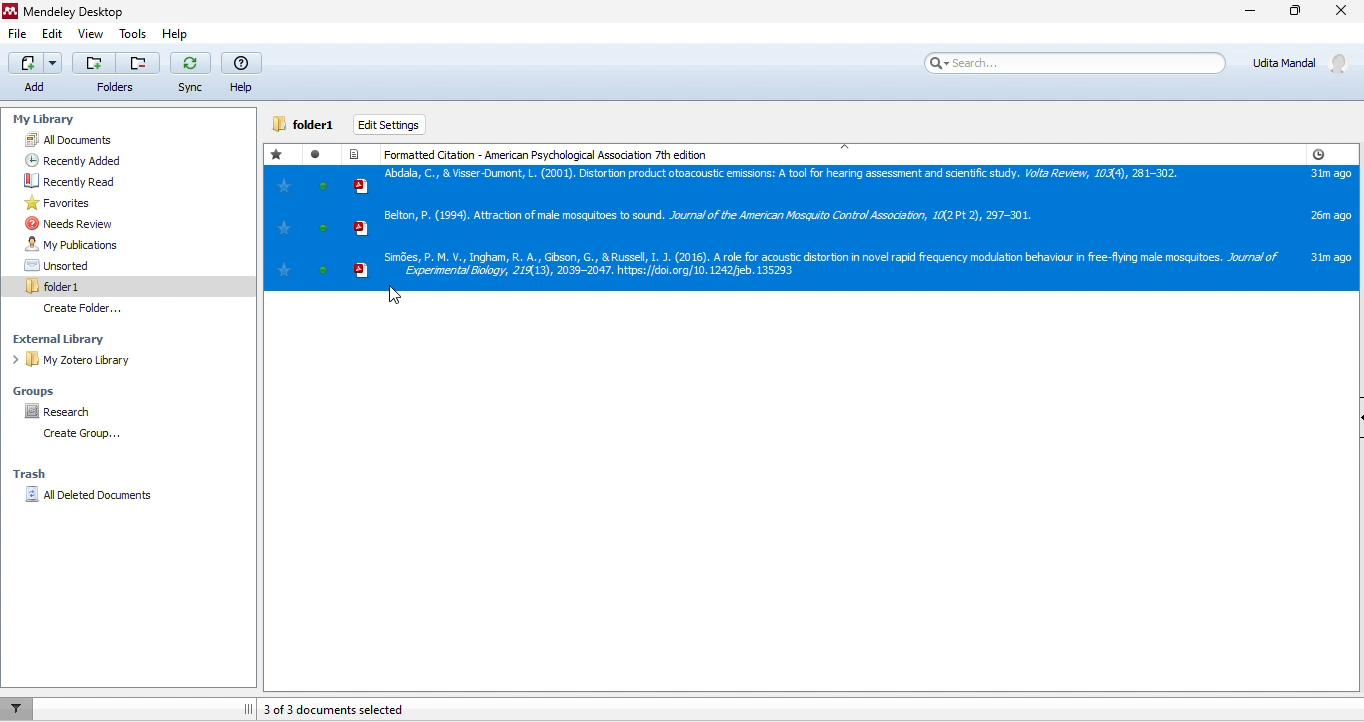 This screenshot has height=722, width=1364. What do you see at coordinates (552, 152) in the screenshot?
I see `formatted citation APA 7 th` at bounding box center [552, 152].